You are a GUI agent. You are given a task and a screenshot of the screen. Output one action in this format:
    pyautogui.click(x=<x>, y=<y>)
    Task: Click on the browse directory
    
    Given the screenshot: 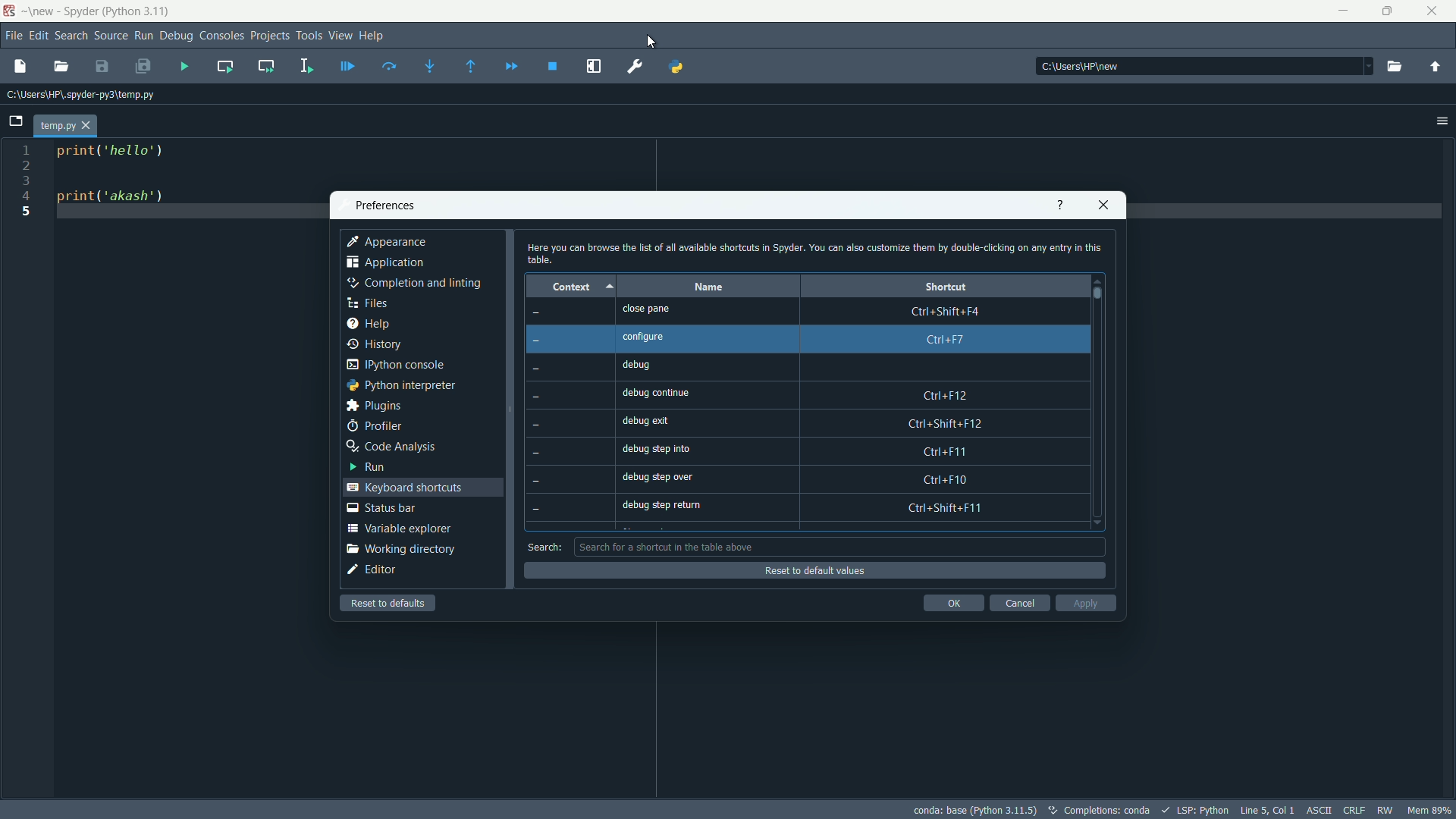 What is the action you would take?
    pyautogui.click(x=1394, y=67)
    